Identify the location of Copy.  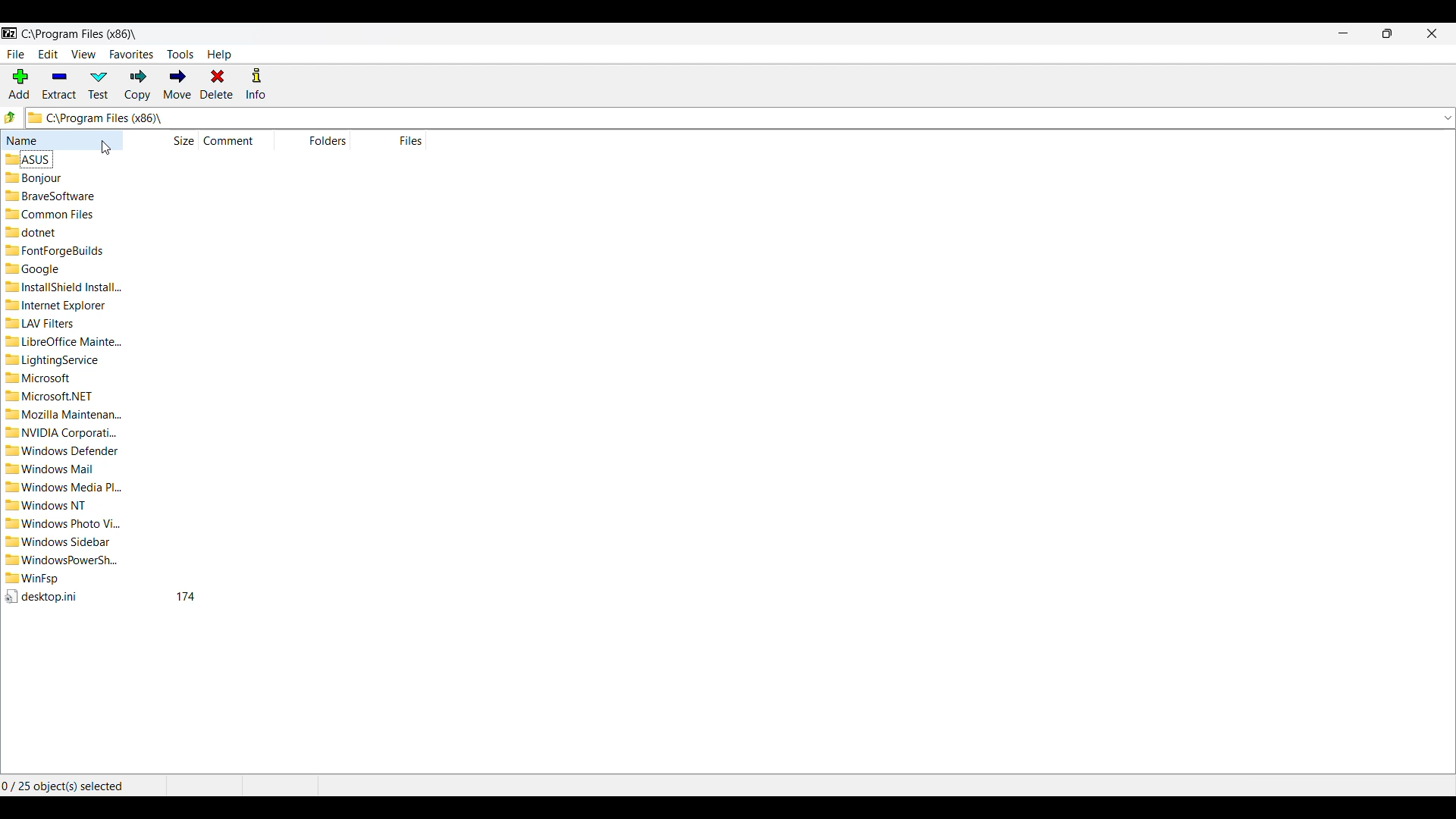
(137, 86).